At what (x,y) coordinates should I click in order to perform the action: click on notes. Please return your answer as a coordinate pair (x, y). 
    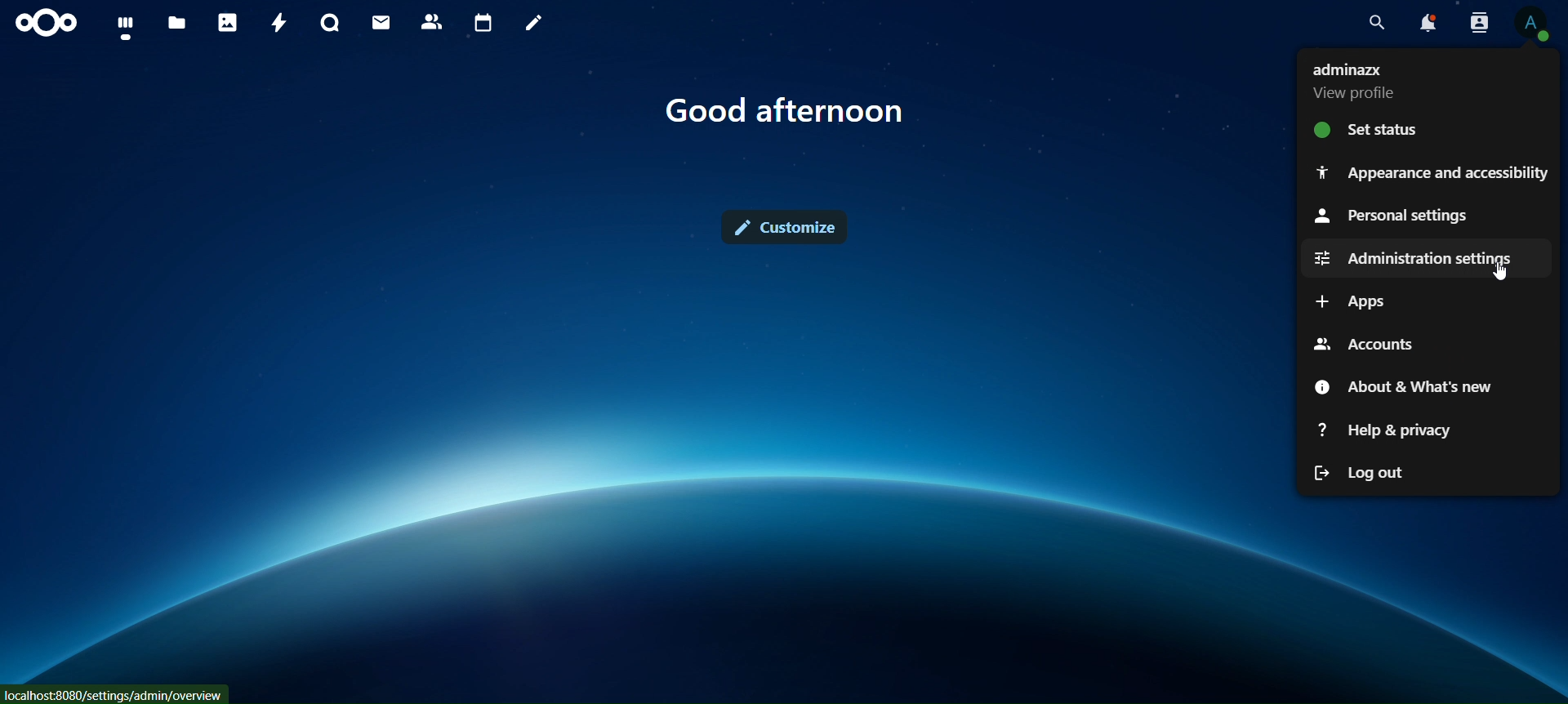
    Looking at the image, I should click on (535, 24).